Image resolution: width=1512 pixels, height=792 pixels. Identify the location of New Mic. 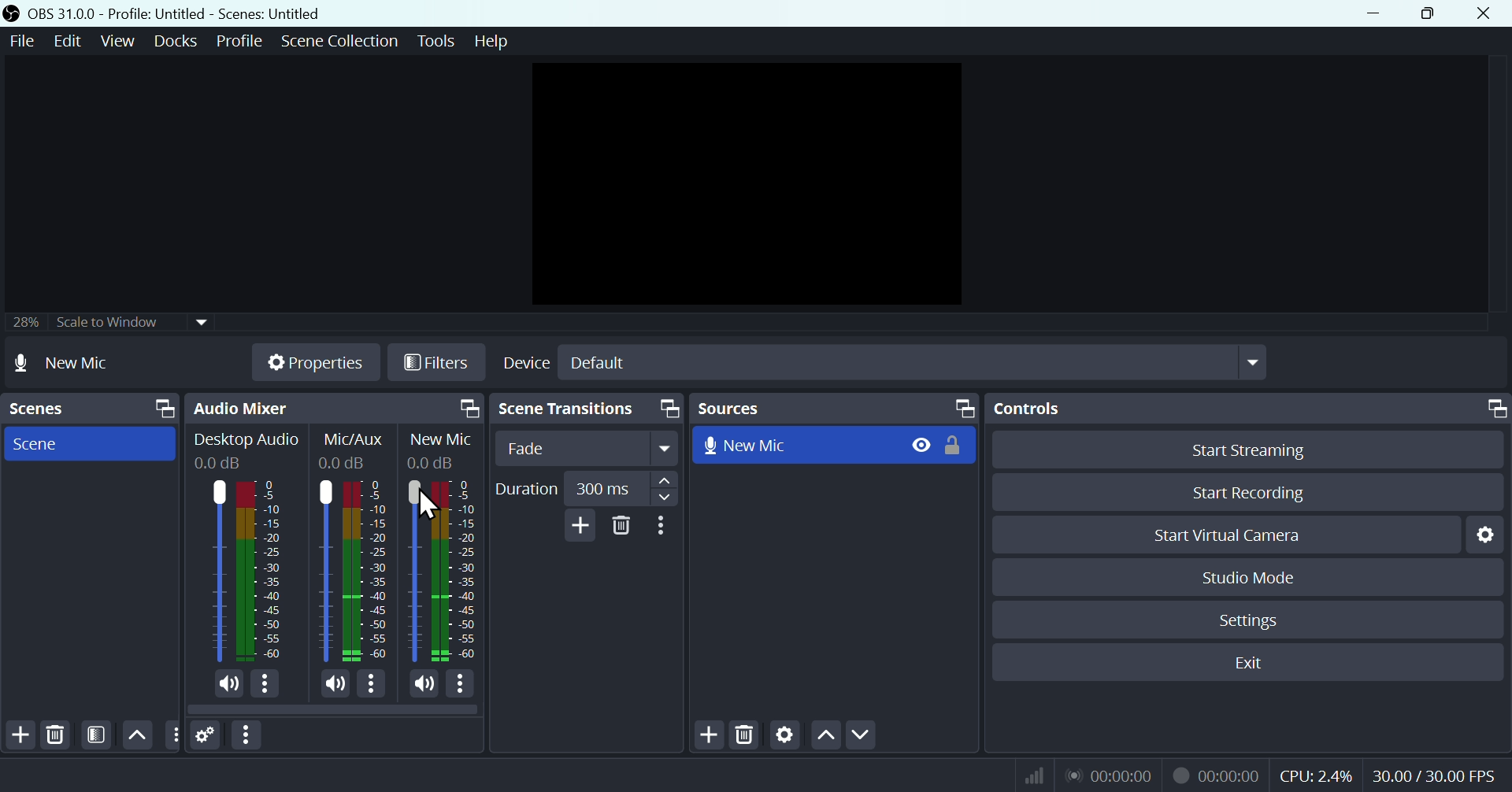
(795, 443).